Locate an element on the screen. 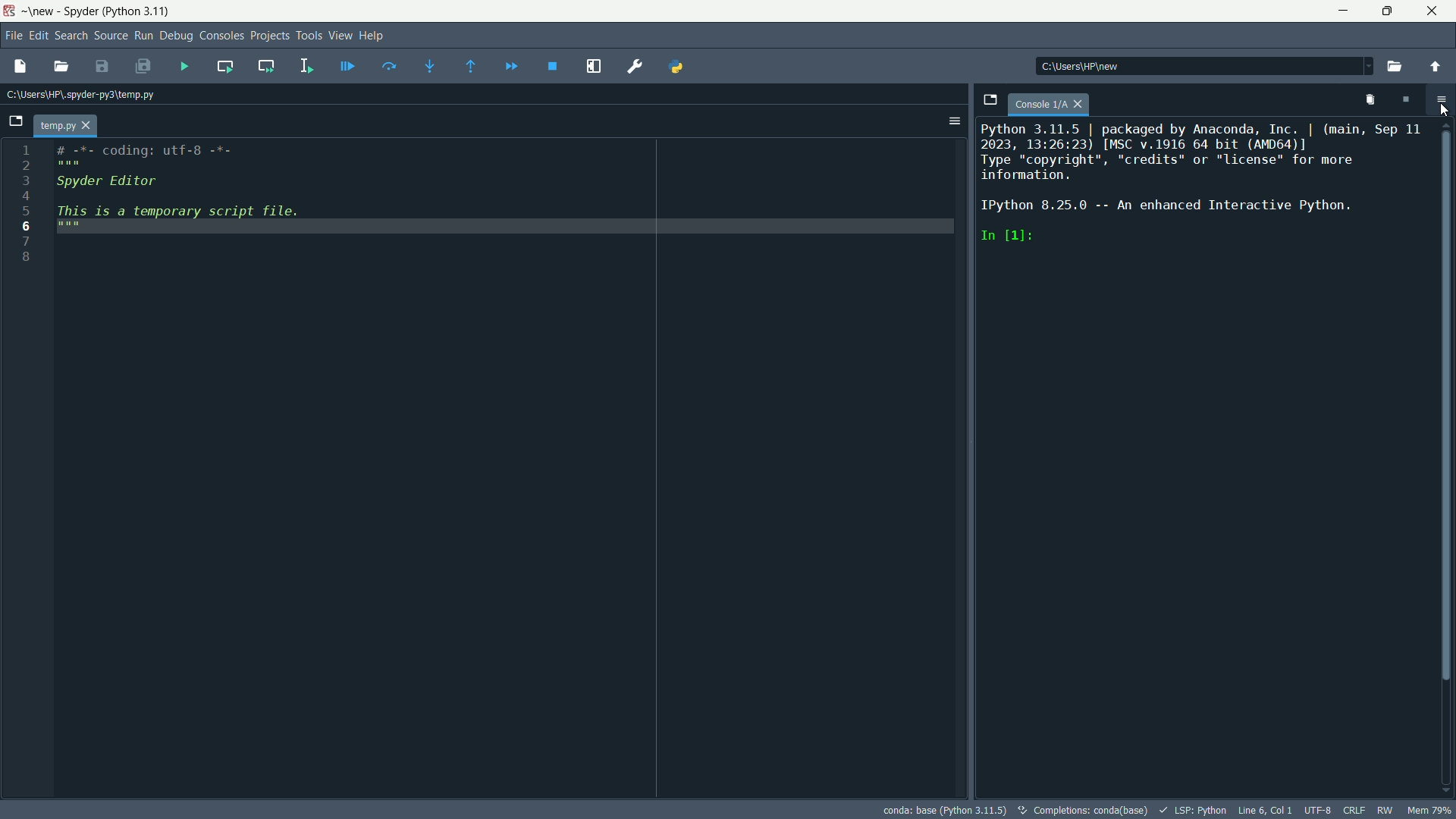 This screenshot has width=1456, height=819. Spyder Desktop Icon is located at coordinates (11, 12).